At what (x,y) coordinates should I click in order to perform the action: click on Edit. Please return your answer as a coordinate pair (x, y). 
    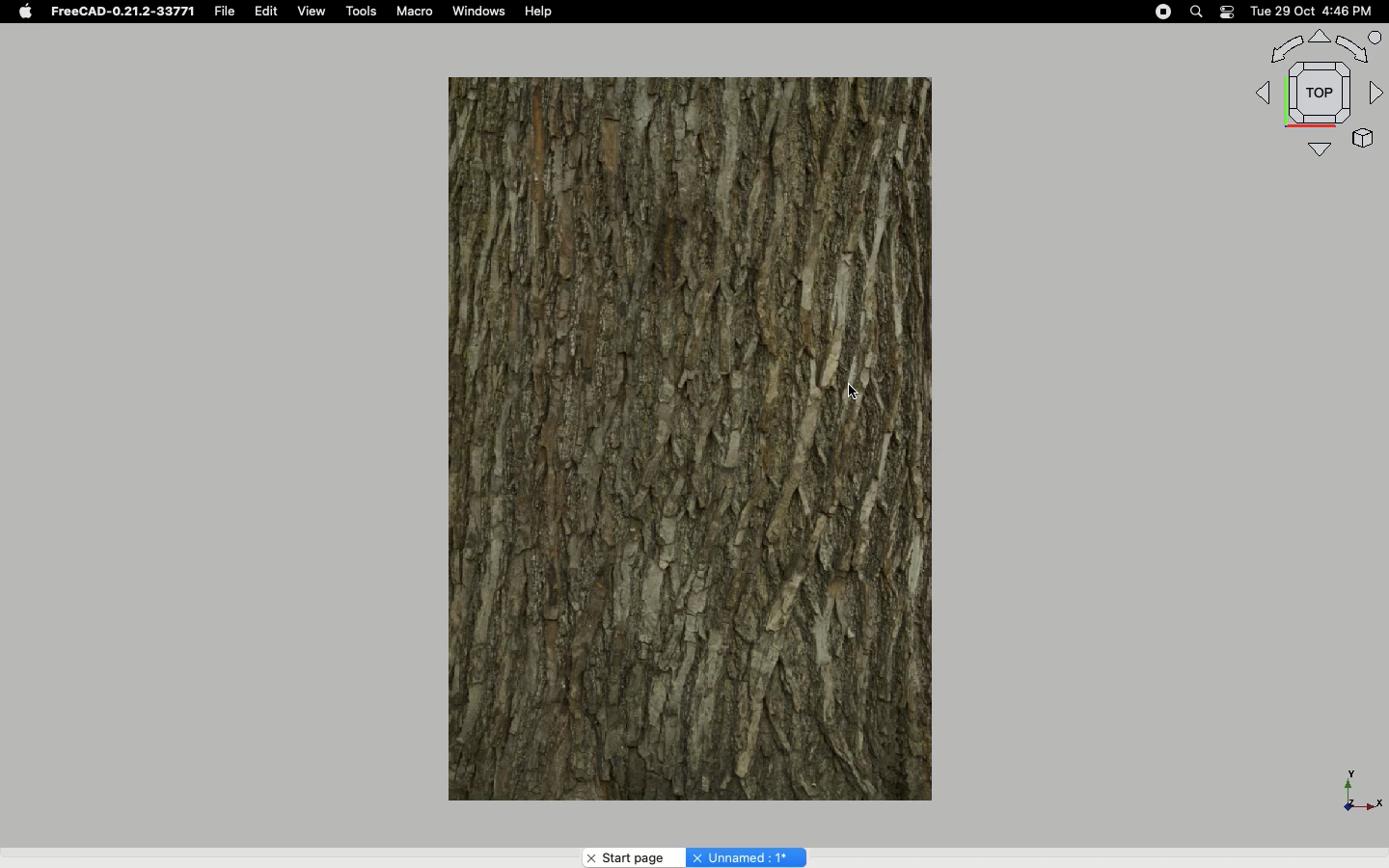
    Looking at the image, I should click on (268, 12).